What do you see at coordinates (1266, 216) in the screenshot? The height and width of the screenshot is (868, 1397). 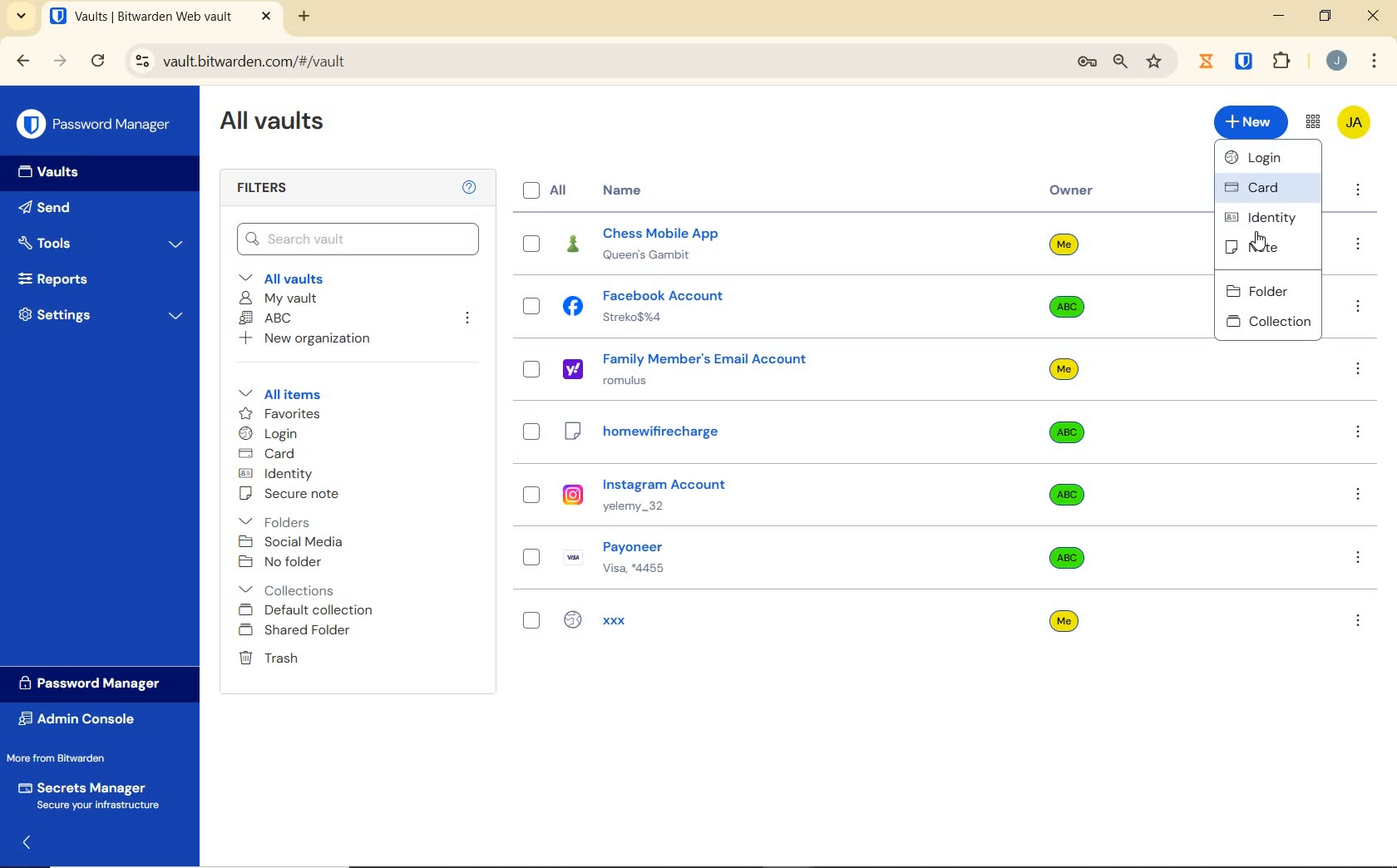 I see `identity` at bounding box center [1266, 216].